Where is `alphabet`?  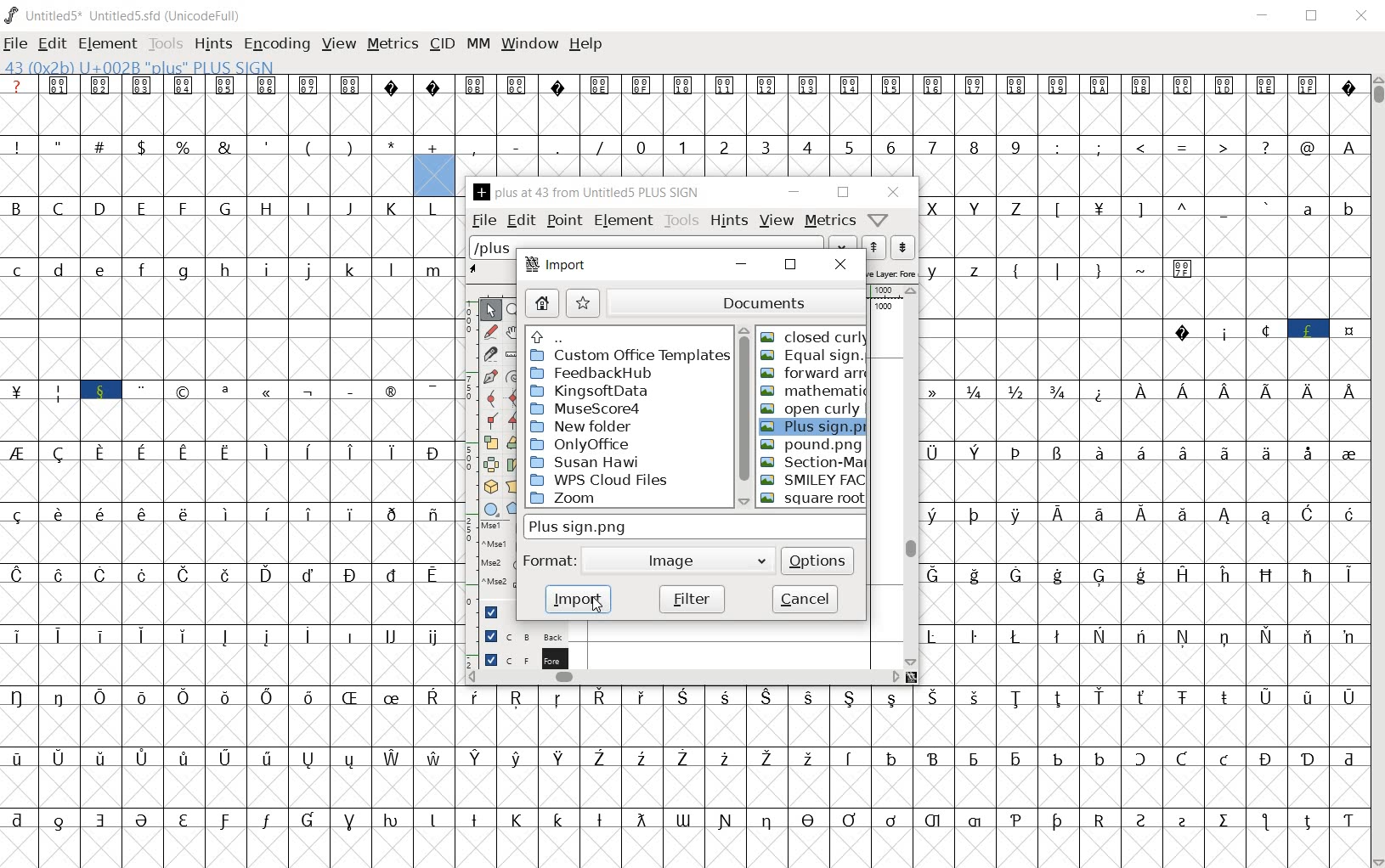 alphabet is located at coordinates (1328, 227).